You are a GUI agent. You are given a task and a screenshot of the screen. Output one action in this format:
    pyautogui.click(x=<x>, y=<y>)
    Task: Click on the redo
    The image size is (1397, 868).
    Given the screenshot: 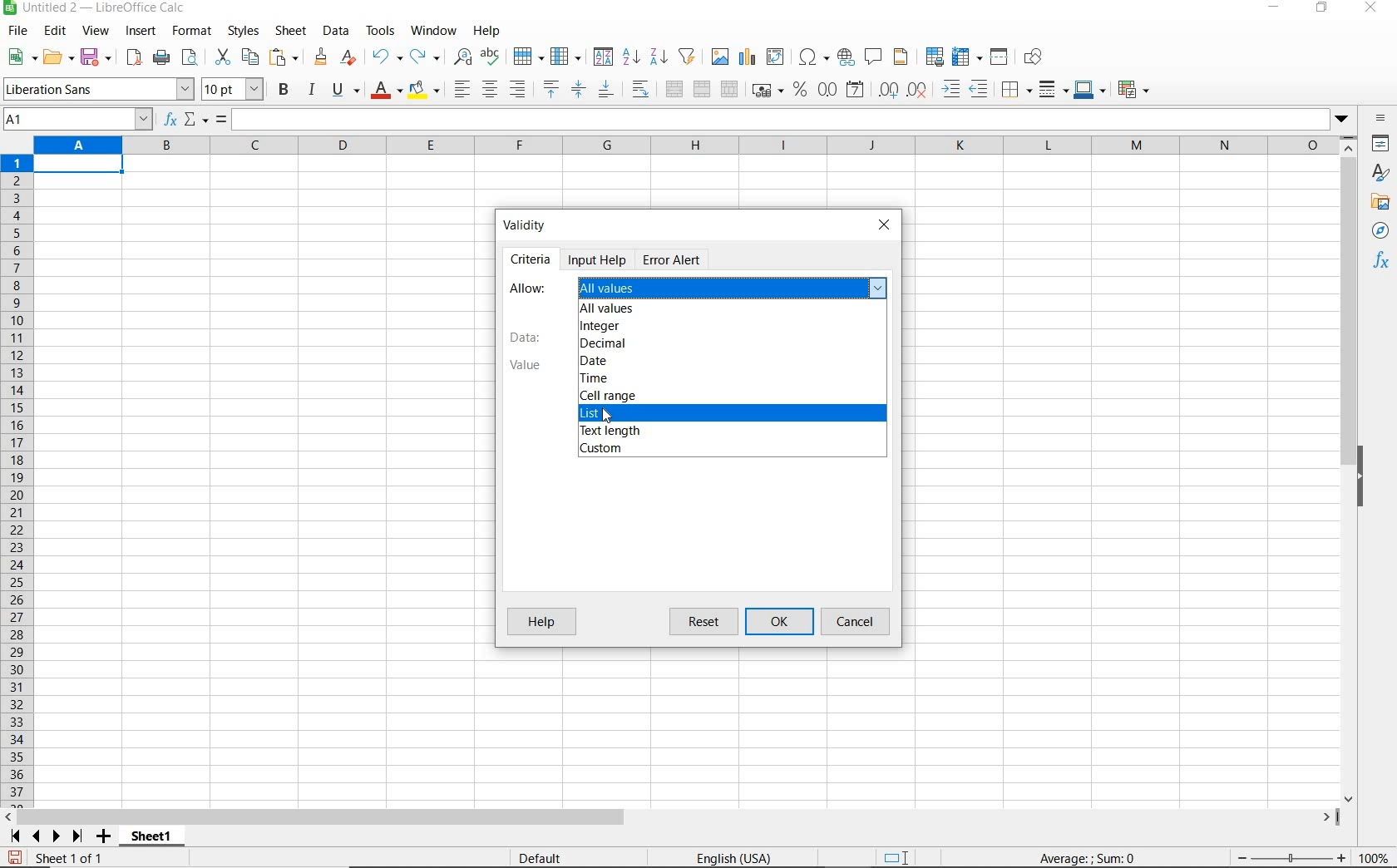 What is the action you would take?
    pyautogui.click(x=424, y=57)
    